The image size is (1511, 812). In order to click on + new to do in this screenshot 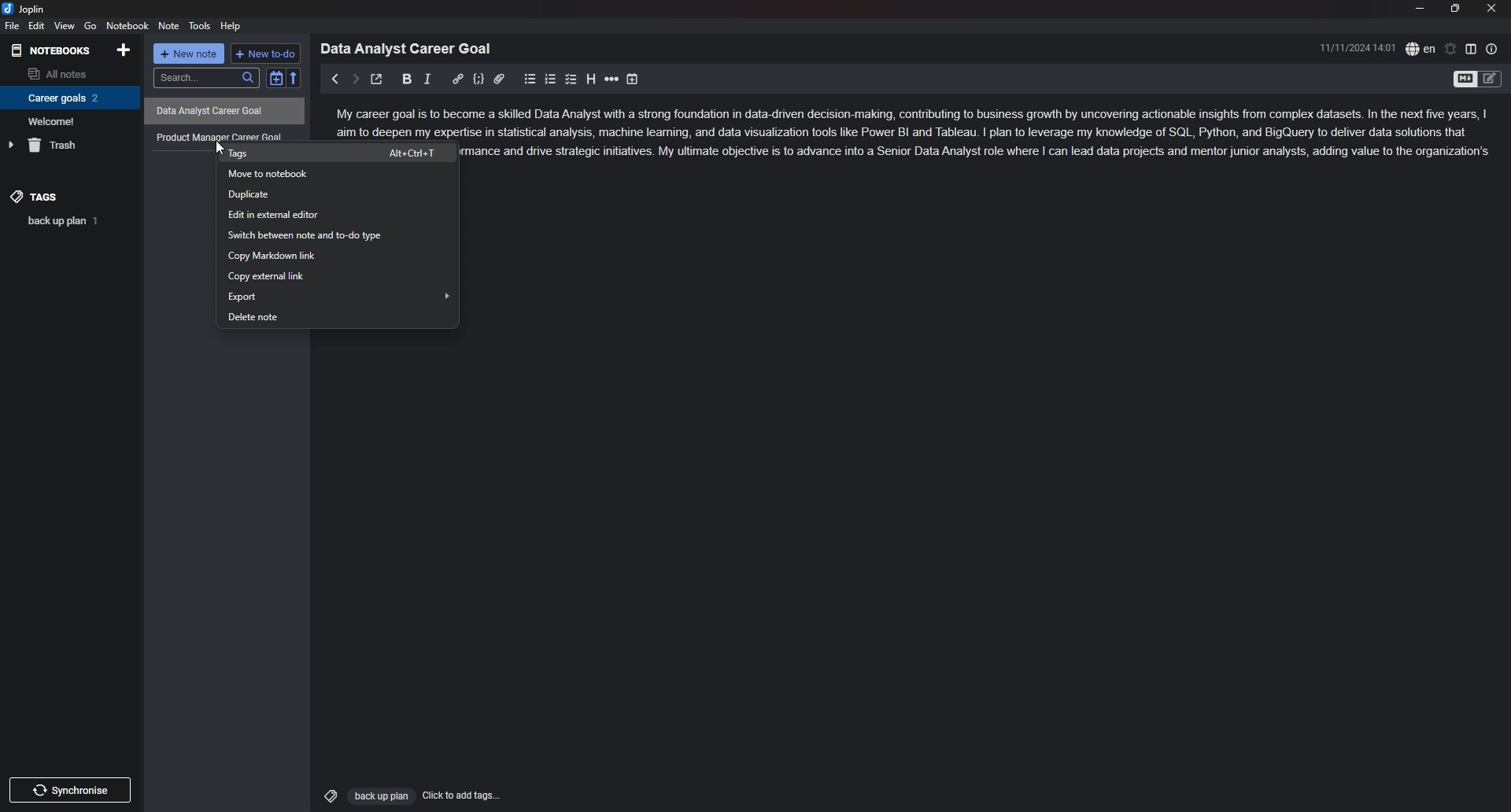, I will do `click(264, 54)`.